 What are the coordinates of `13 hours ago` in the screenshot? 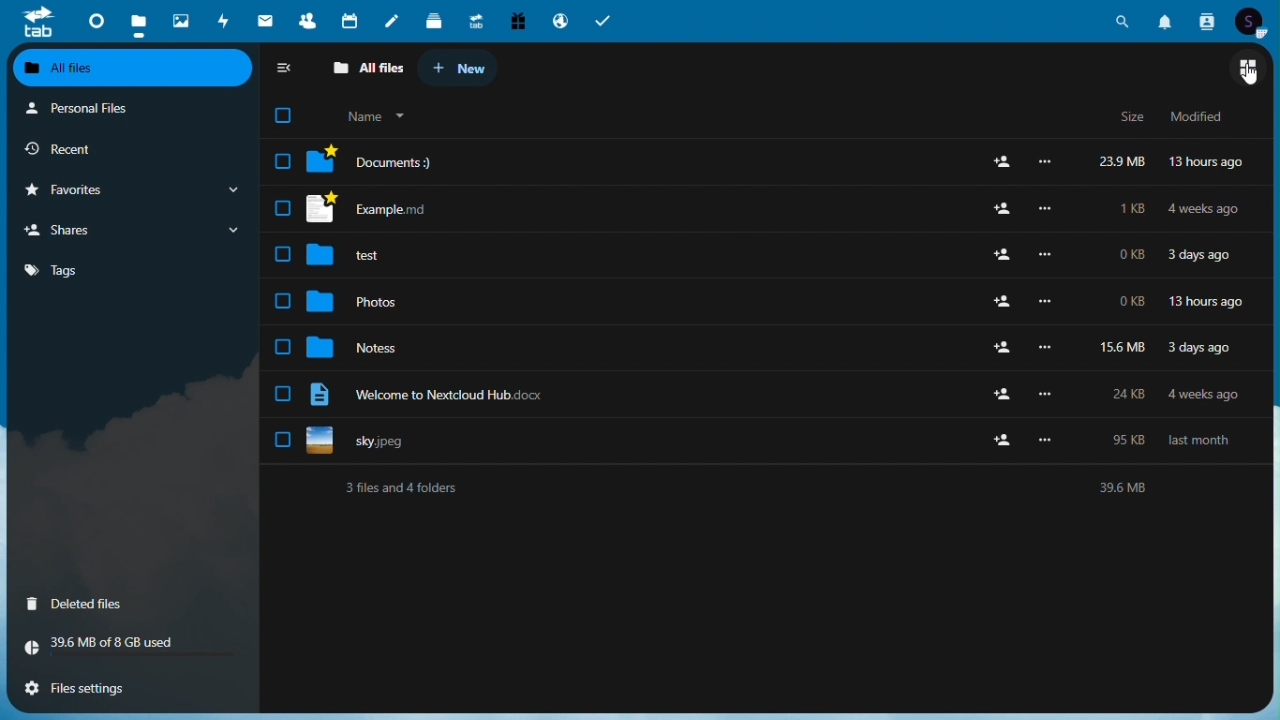 It's located at (1206, 162).